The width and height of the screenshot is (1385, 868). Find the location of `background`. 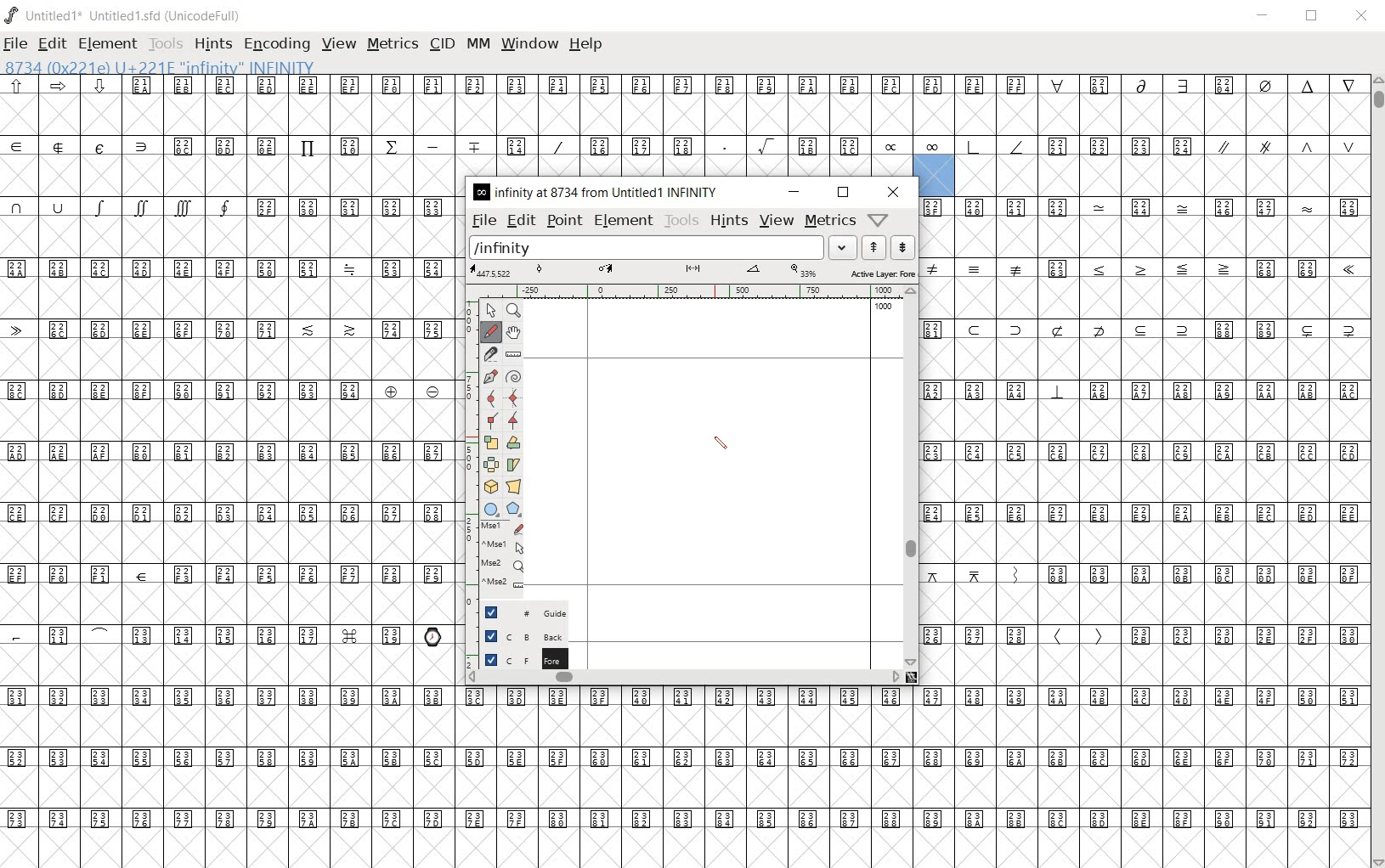

background is located at coordinates (517, 636).